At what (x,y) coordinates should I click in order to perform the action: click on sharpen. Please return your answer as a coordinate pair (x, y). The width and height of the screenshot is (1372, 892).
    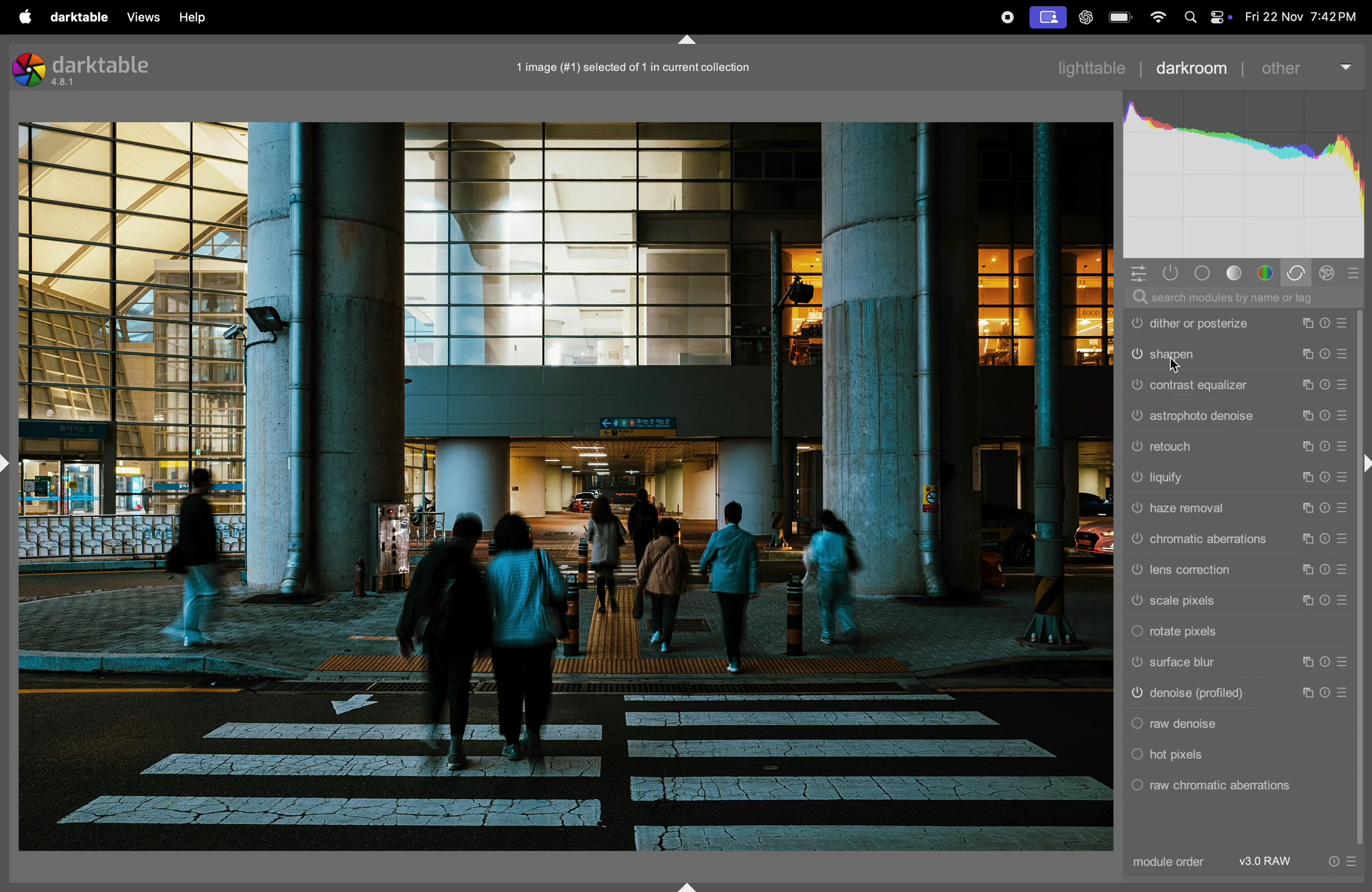
    Looking at the image, I should click on (1237, 354).